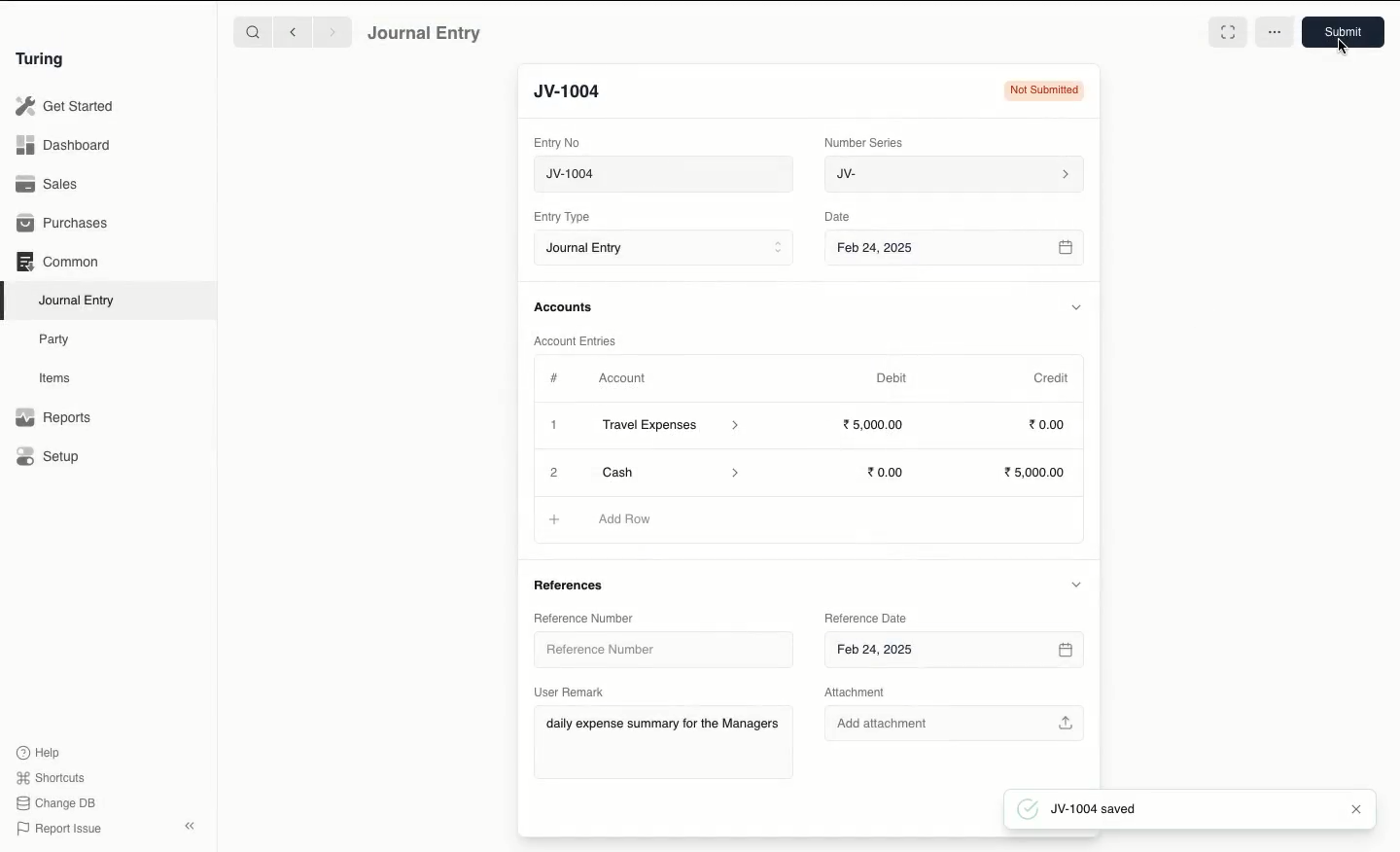 This screenshot has width=1400, height=852. Describe the element at coordinates (955, 652) in the screenshot. I see `Feb 24, 2025` at that location.